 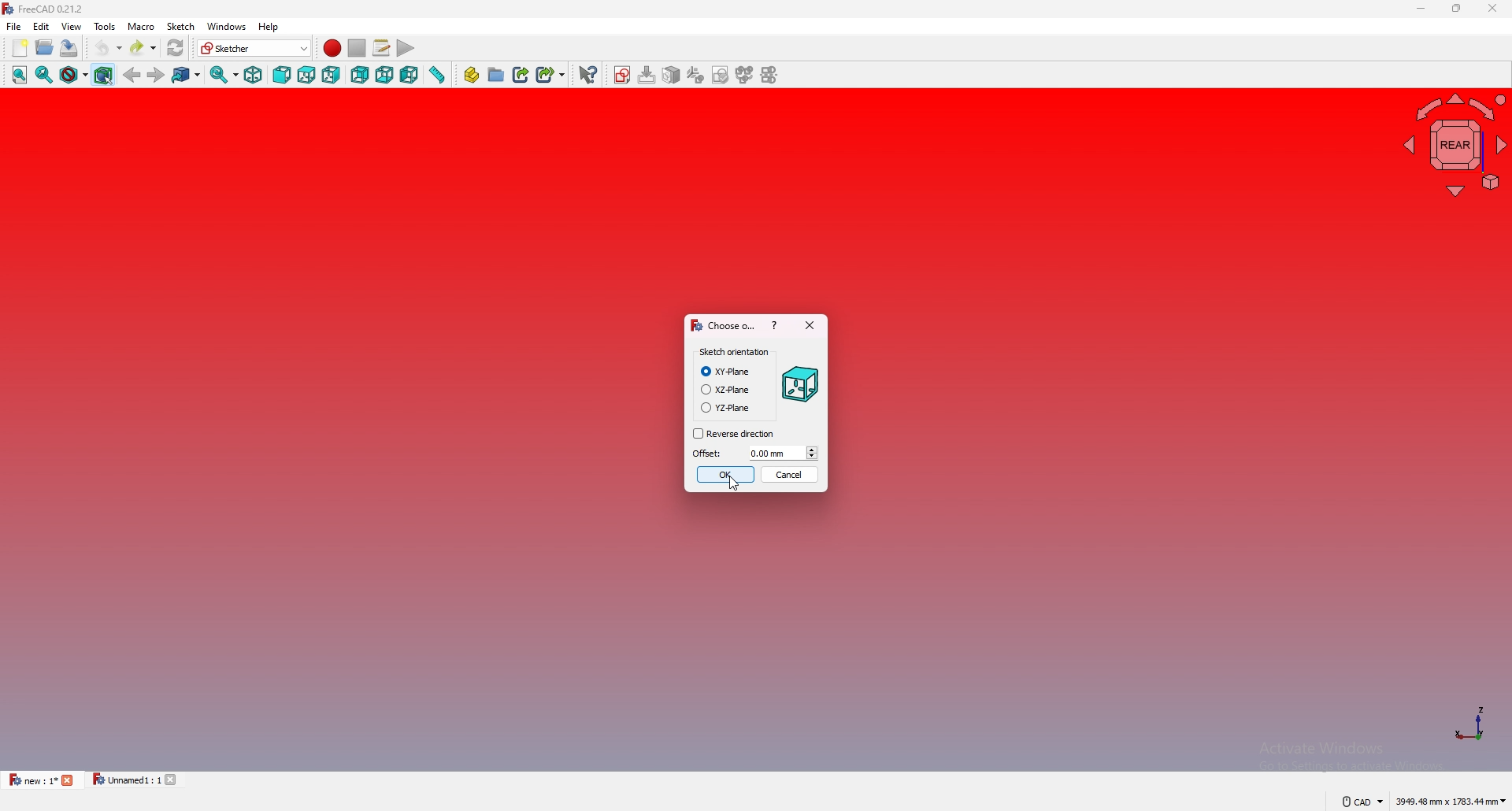 I want to click on edit, so click(x=44, y=26).